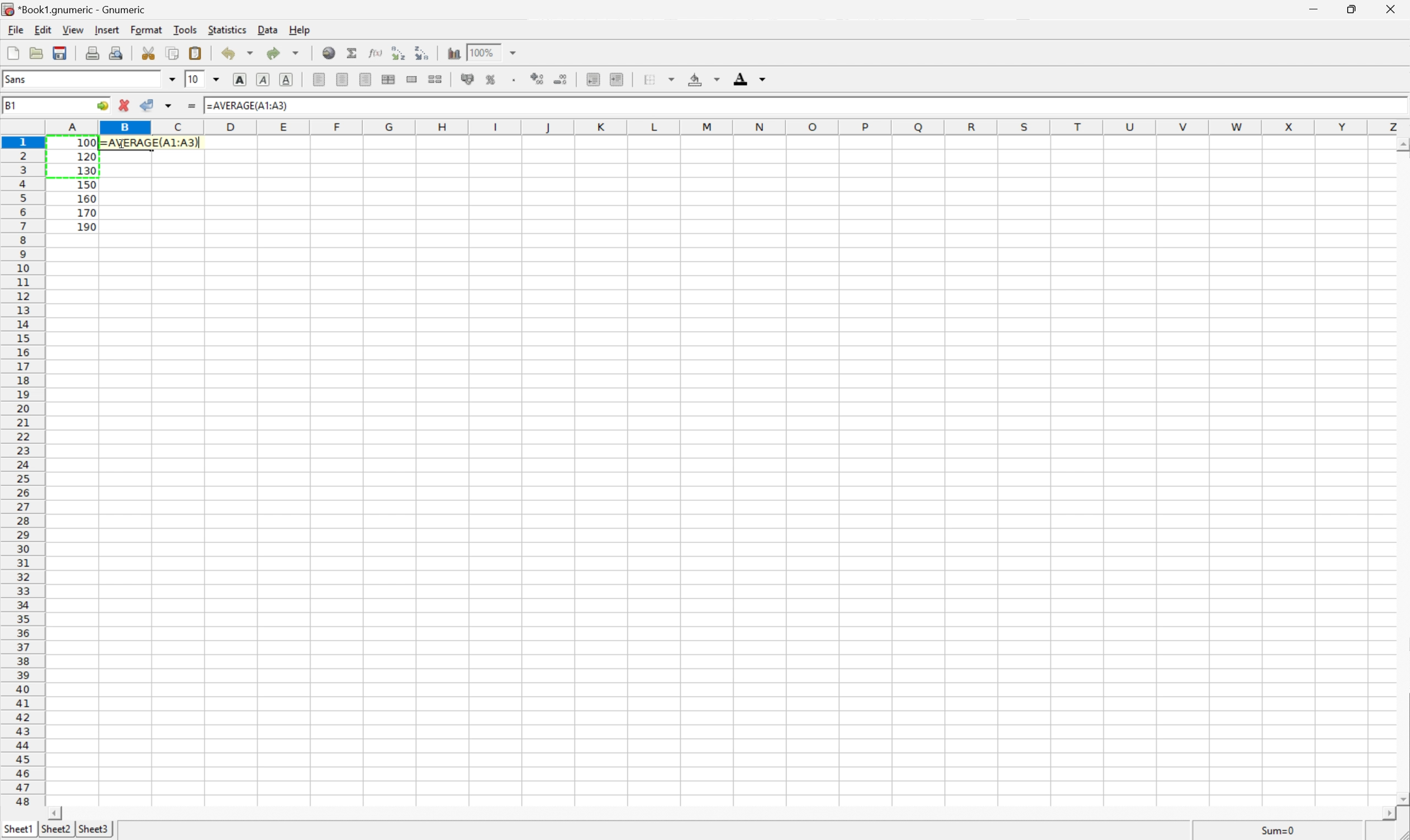  What do you see at coordinates (267, 28) in the screenshot?
I see `Data` at bounding box center [267, 28].